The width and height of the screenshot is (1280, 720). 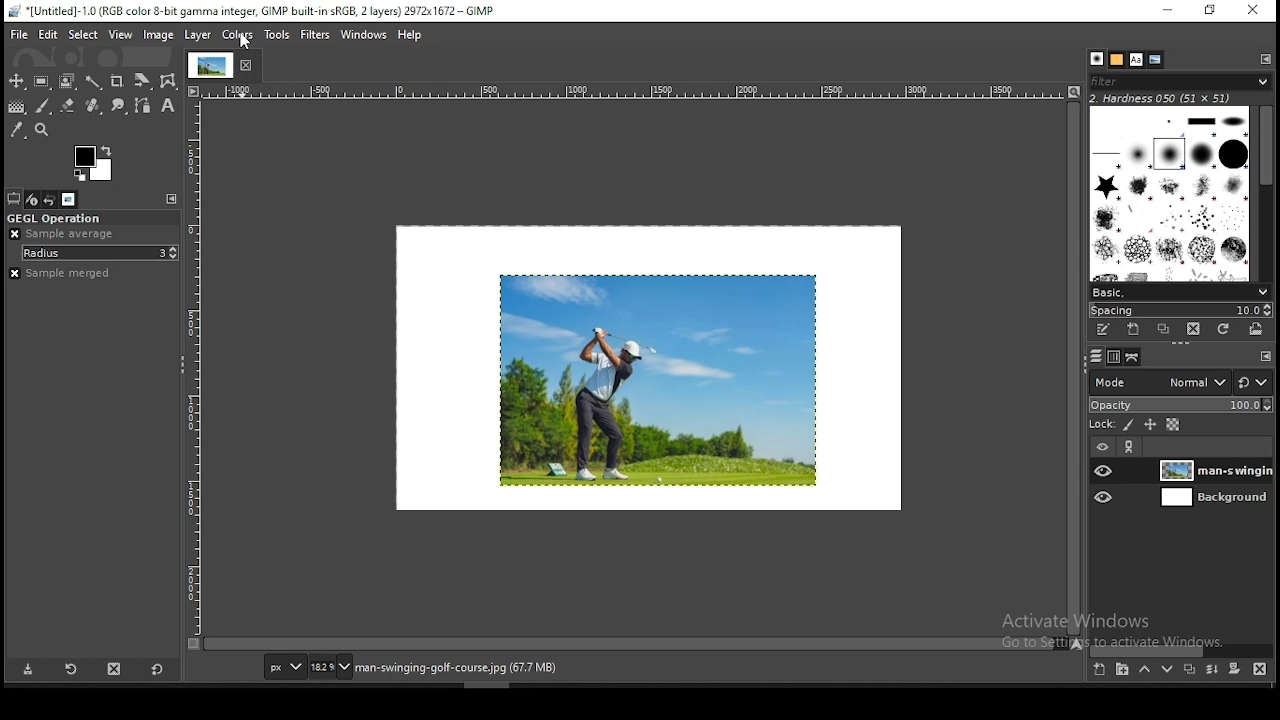 What do you see at coordinates (458, 669) in the screenshot?
I see `man-swinging-golf-course.jpg (67.7 mb)` at bounding box center [458, 669].